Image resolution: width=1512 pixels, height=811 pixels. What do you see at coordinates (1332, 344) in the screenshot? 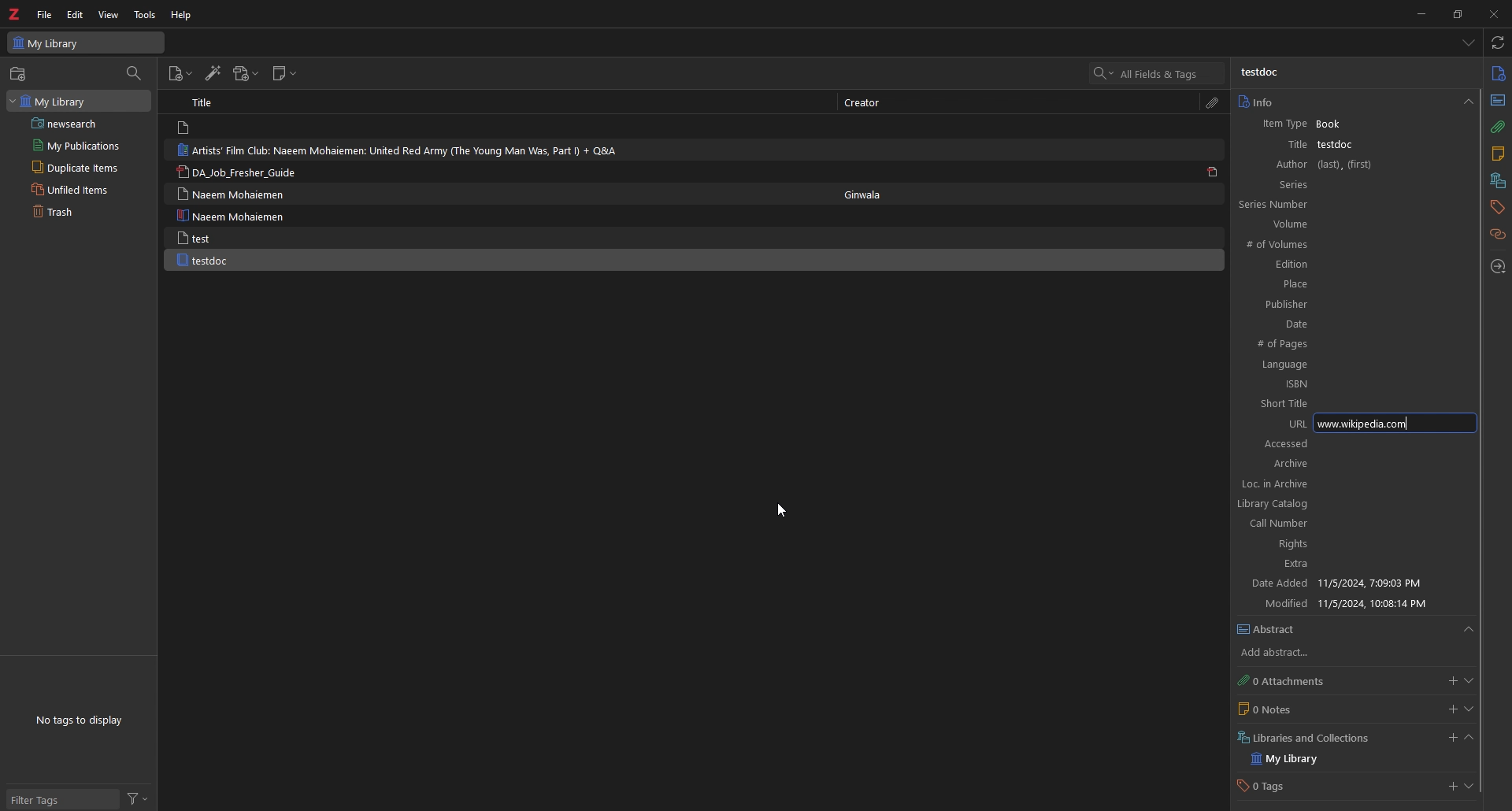
I see `# of Pages` at bounding box center [1332, 344].